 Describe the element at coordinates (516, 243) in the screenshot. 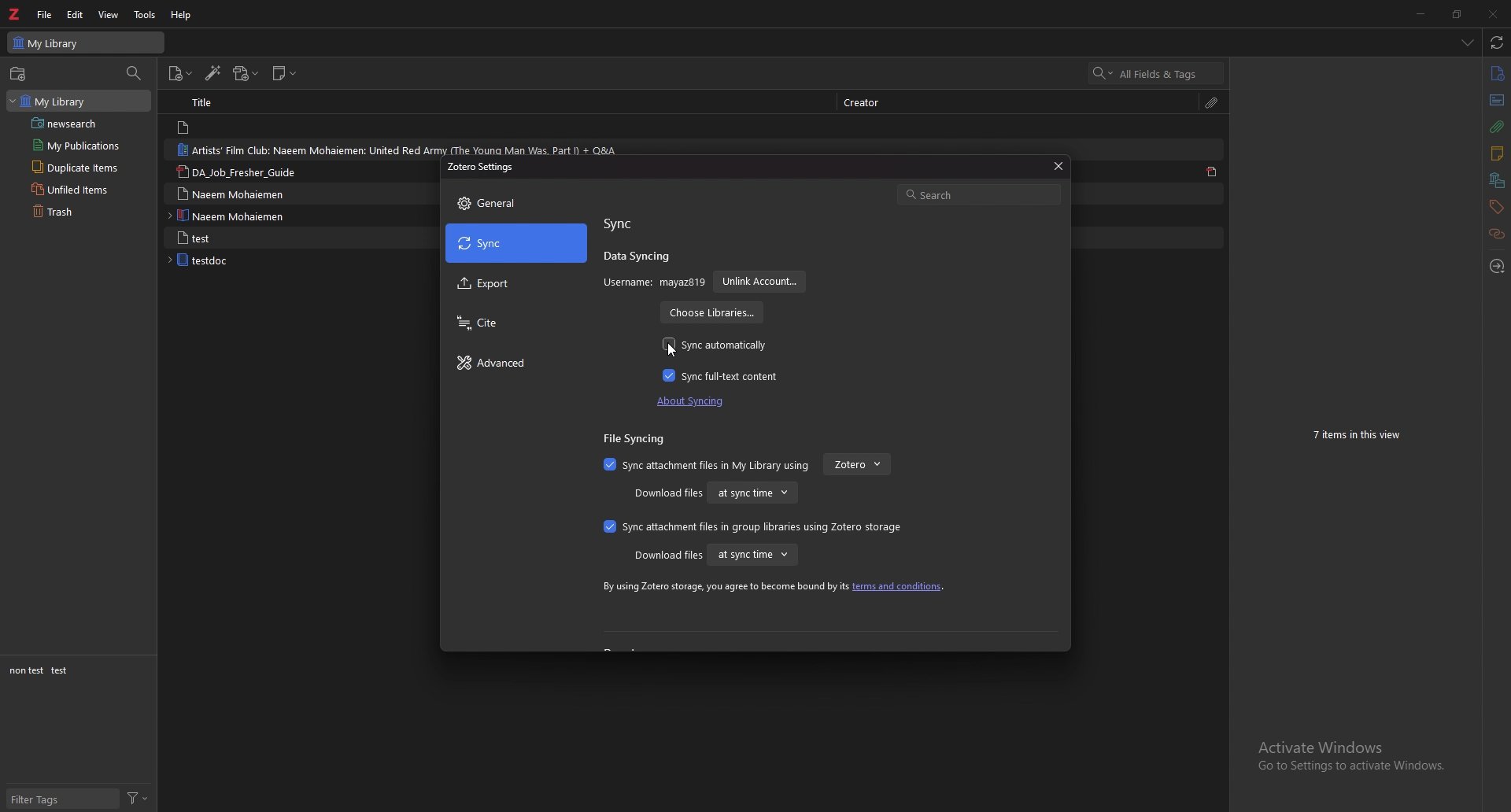

I see `sync` at that location.